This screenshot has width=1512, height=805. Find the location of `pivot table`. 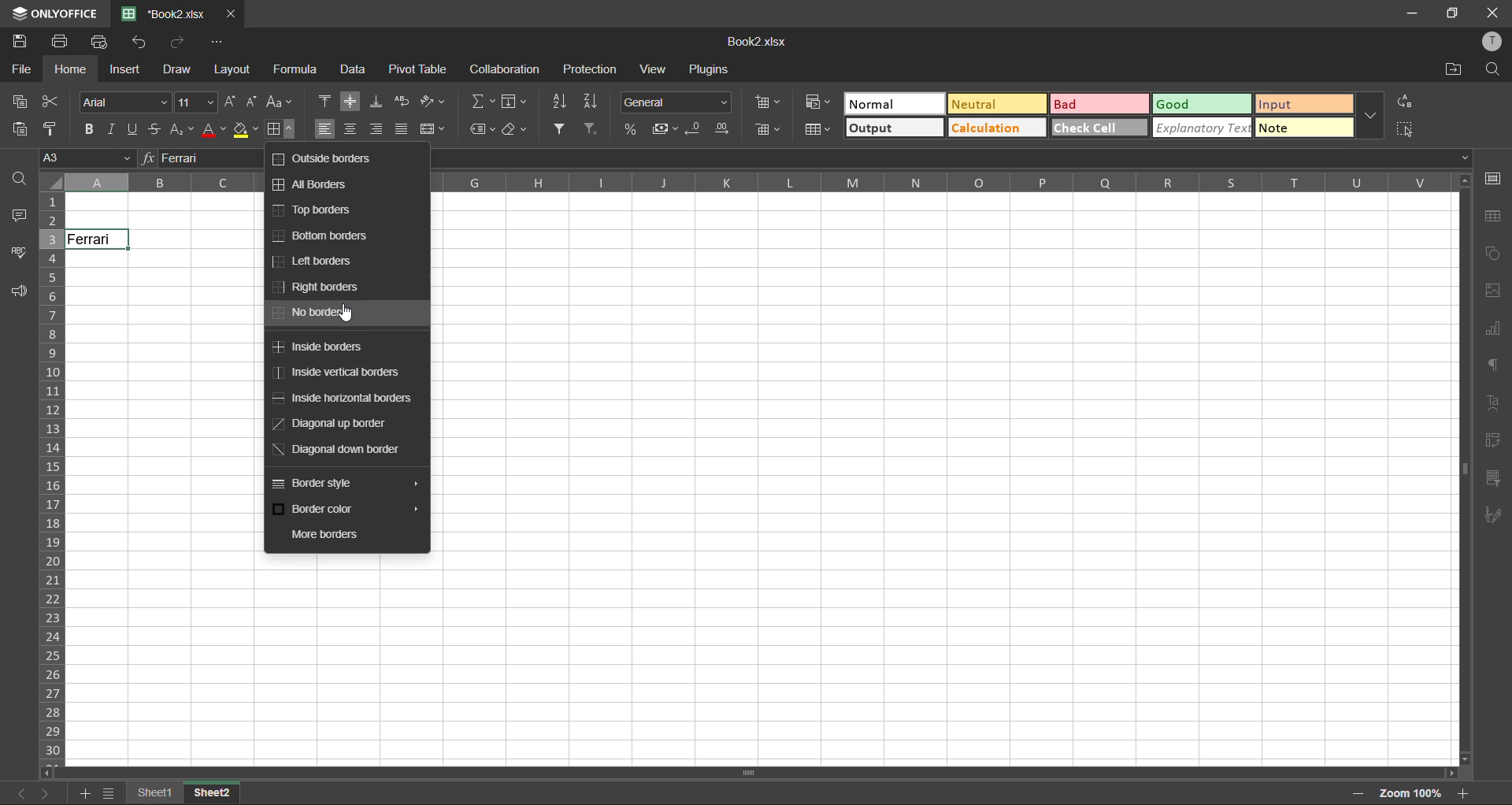

pivot table is located at coordinates (1492, 440).